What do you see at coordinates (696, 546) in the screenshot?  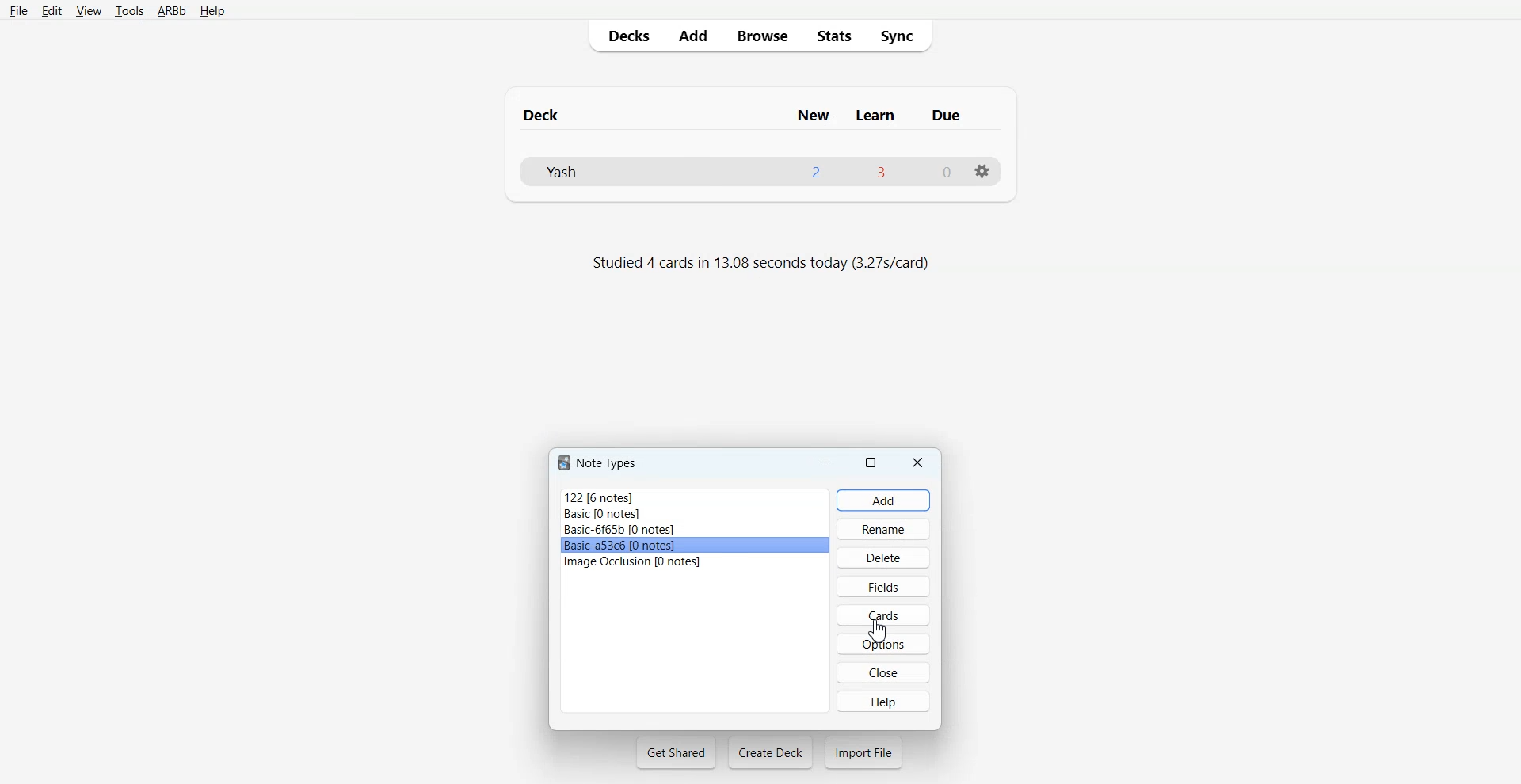 I see `Basic-a53r6` at bounding box center [696, 546].